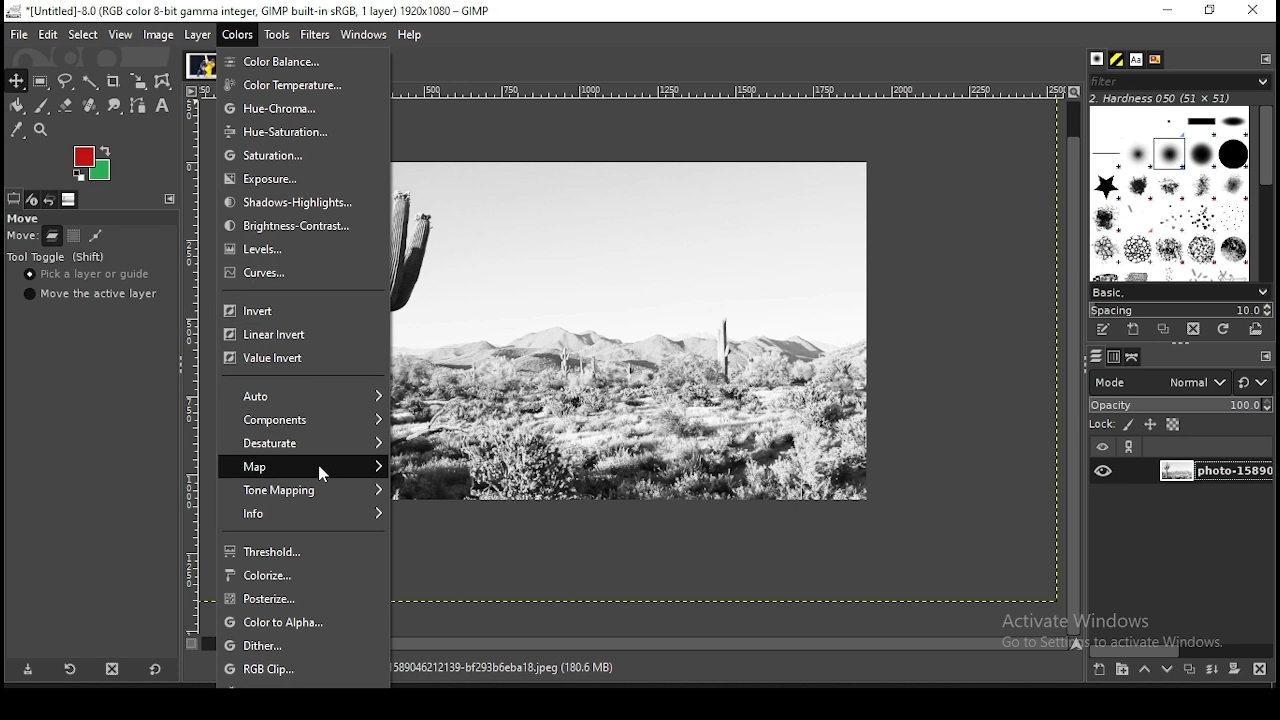  I want to click on delete tool preset, so click(112, 669).